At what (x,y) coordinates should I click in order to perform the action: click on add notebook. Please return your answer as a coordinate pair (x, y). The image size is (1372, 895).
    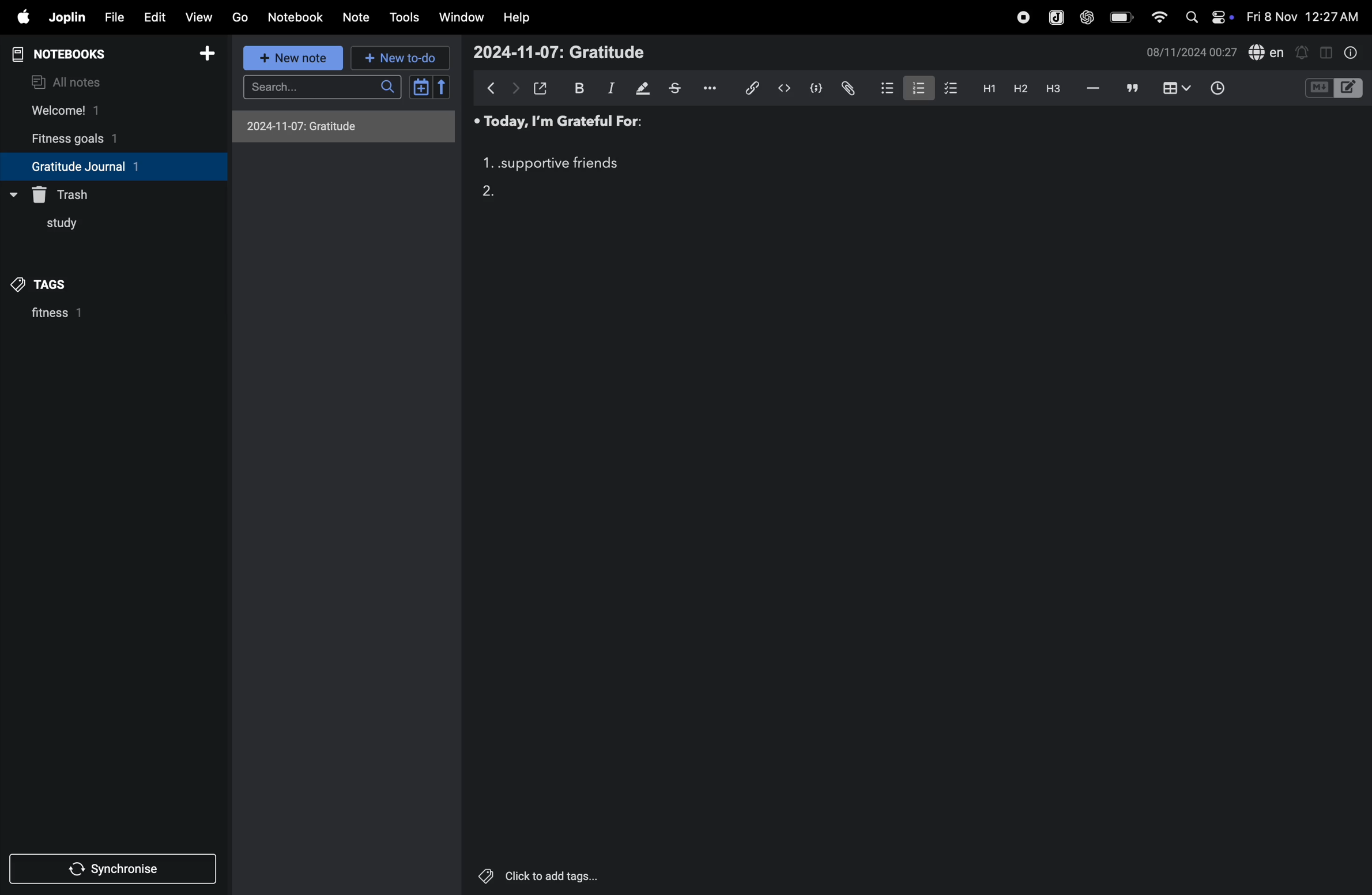
    Looking at the image, I should click on (202, 54).